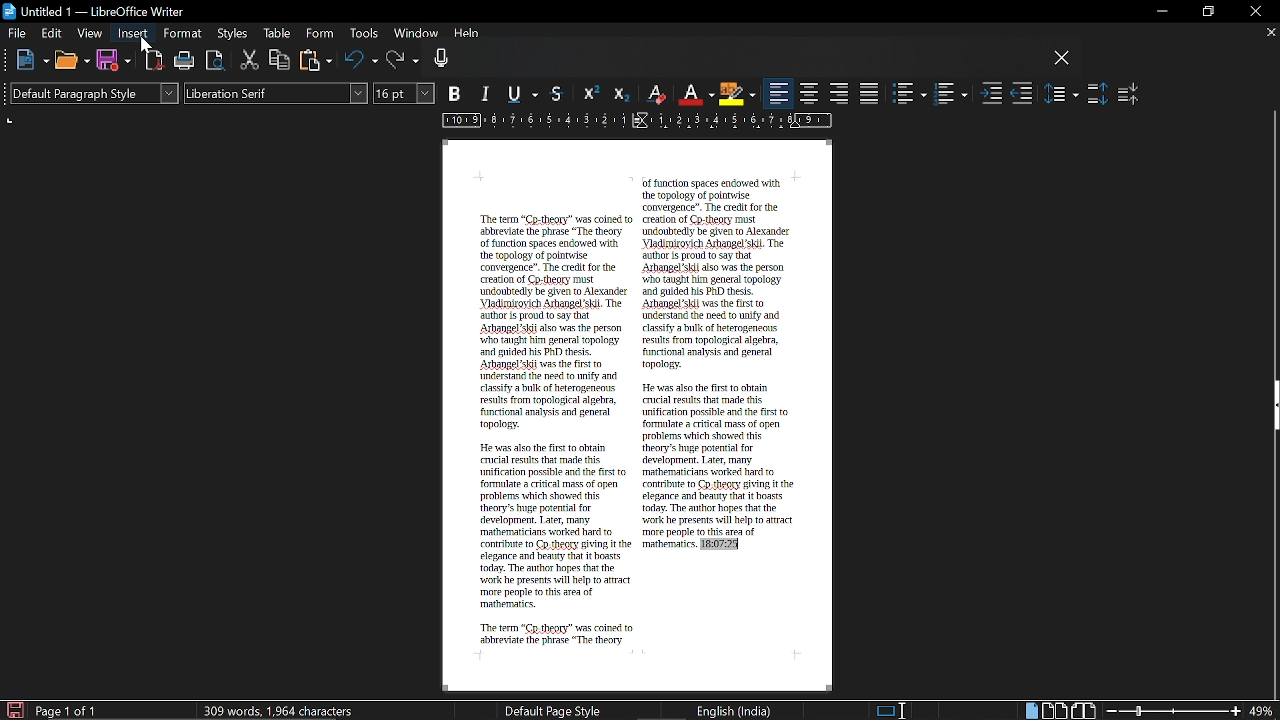 The height and width of the screenshot is (720, 1280). I want to click on Import as PDF, so click(155, 61).